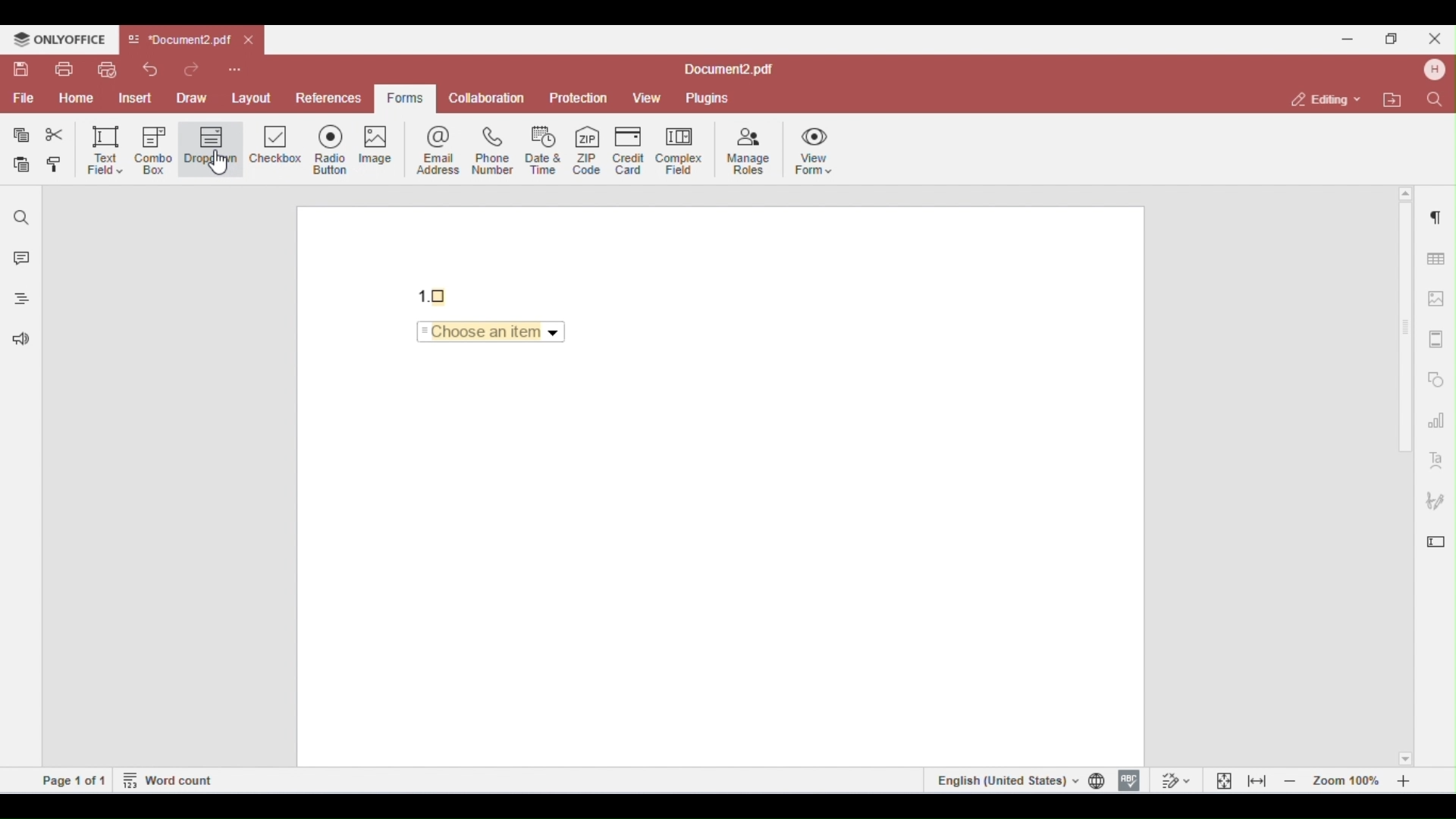 Image resolution: width=1456 pixels, height=819 pixels. I want to click on zip code, so click(587, 148).